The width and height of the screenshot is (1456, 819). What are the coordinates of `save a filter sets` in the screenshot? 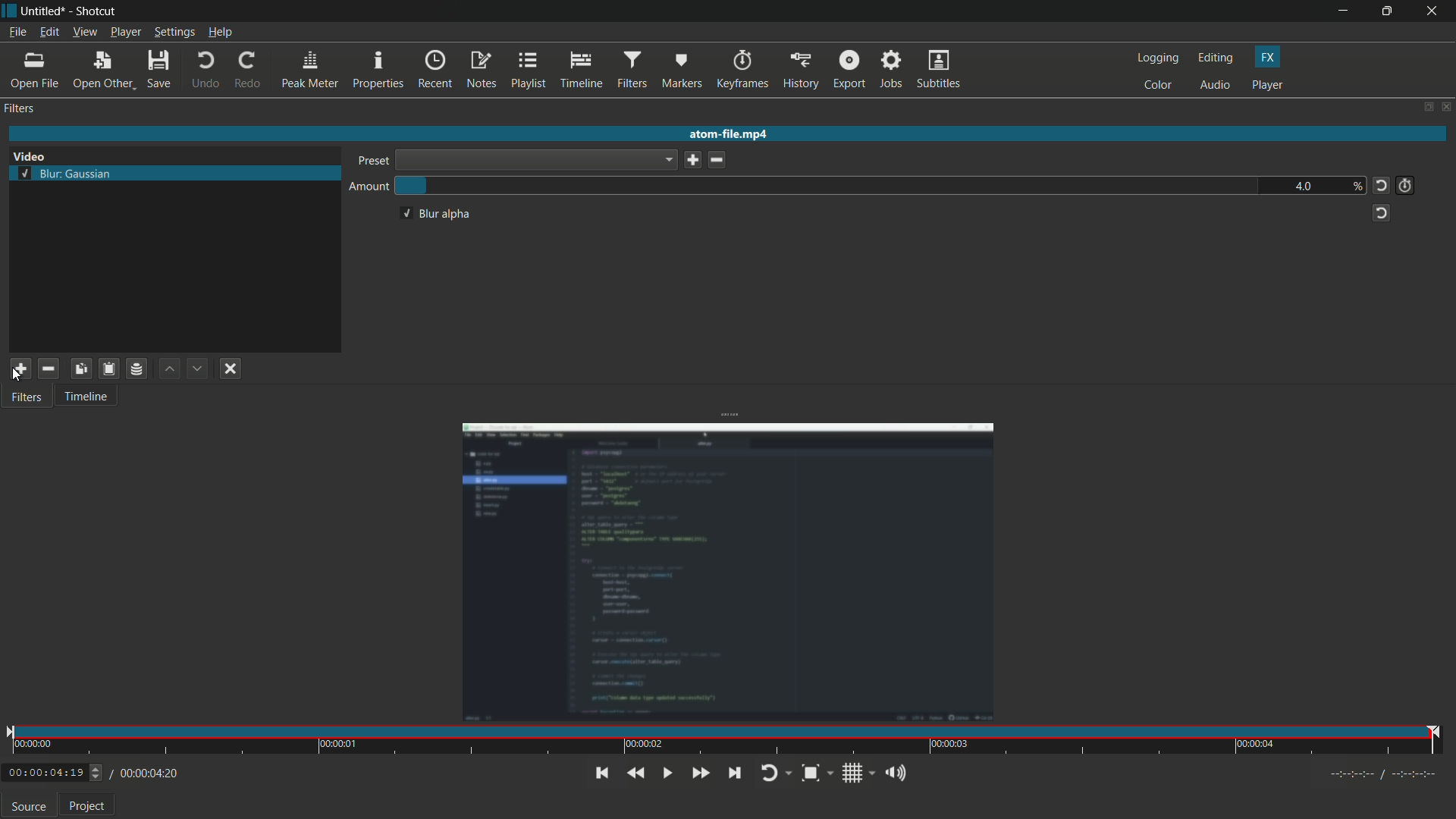 It's located at (138, 369).